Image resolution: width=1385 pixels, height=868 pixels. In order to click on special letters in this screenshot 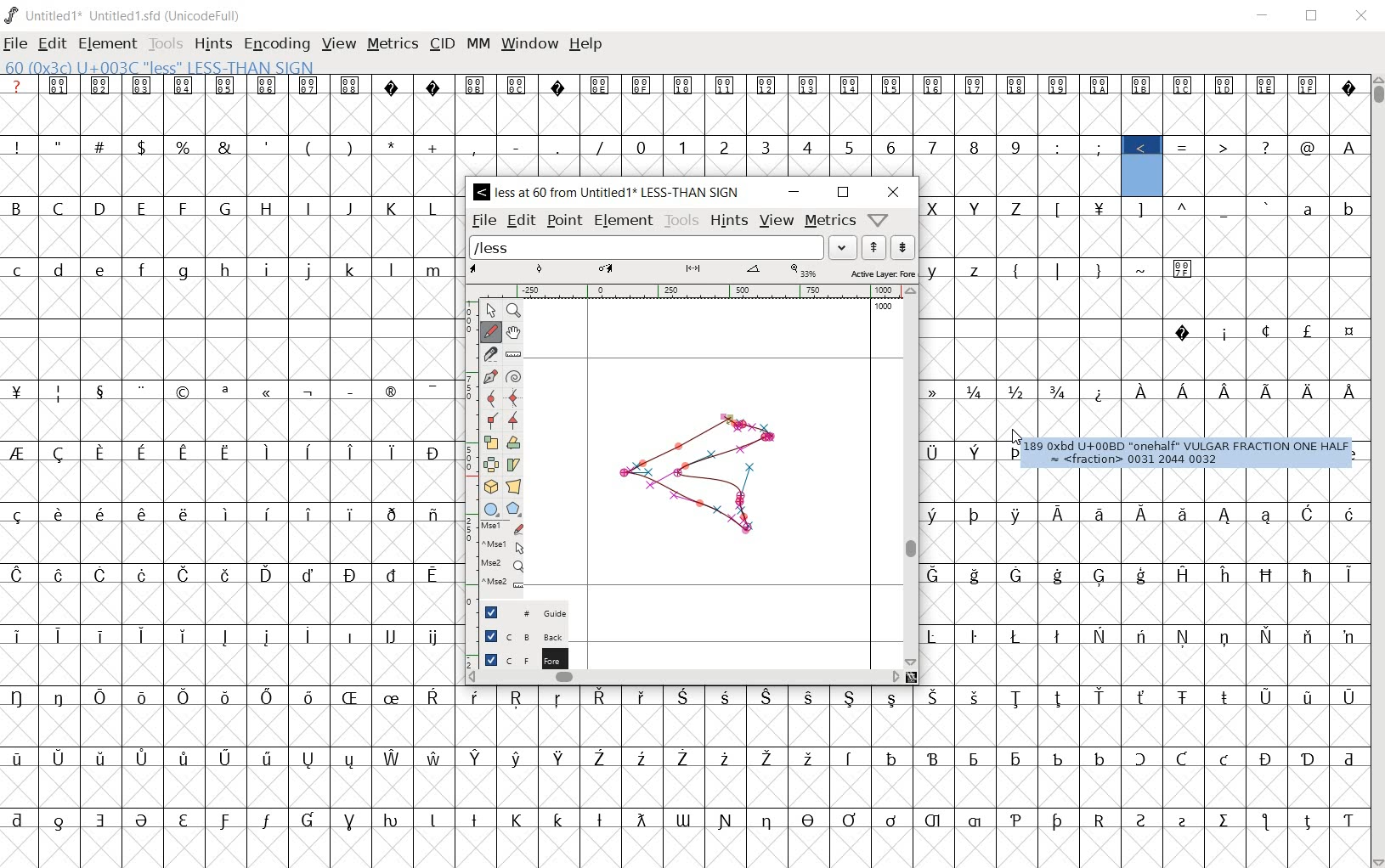, I will do `click(229, 512)`.